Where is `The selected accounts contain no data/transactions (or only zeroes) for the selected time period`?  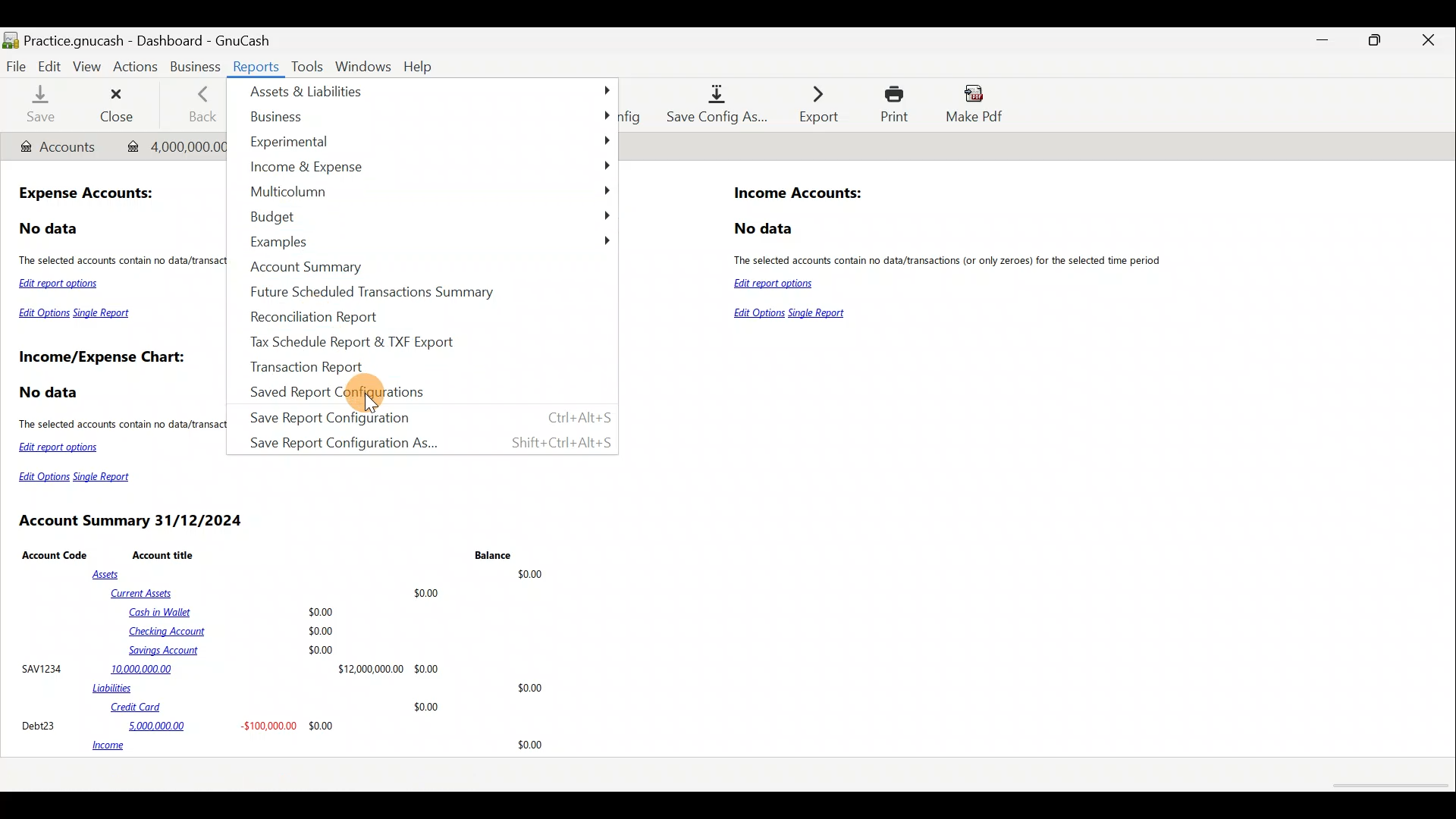
The selected accounts contain no data/transactions (or only zeroes) for the selected time period is located at coordinates (954, 260).